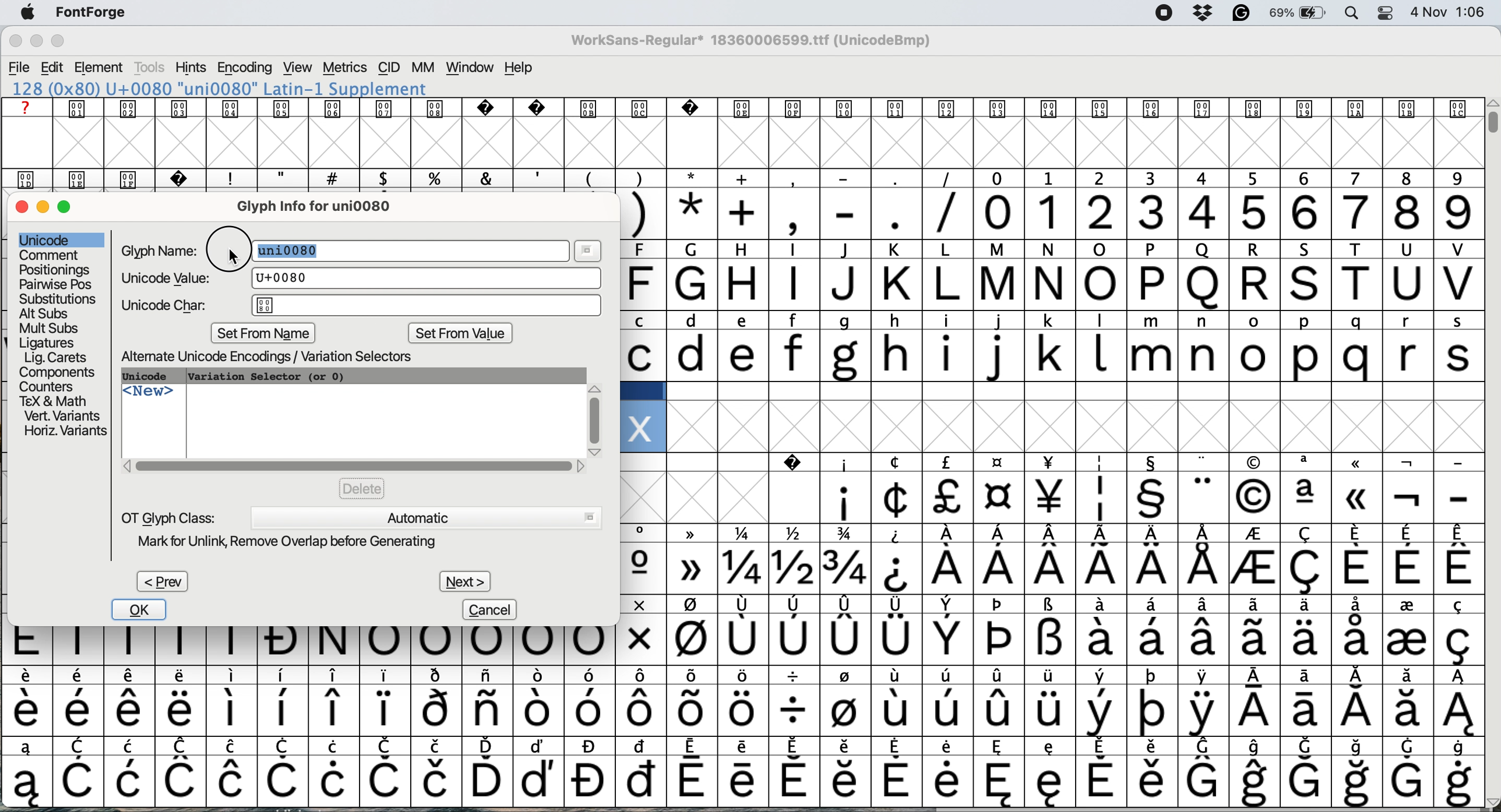 This screenshot has width=1501, height=812. I want to click on variation selector, so click(267, 376).